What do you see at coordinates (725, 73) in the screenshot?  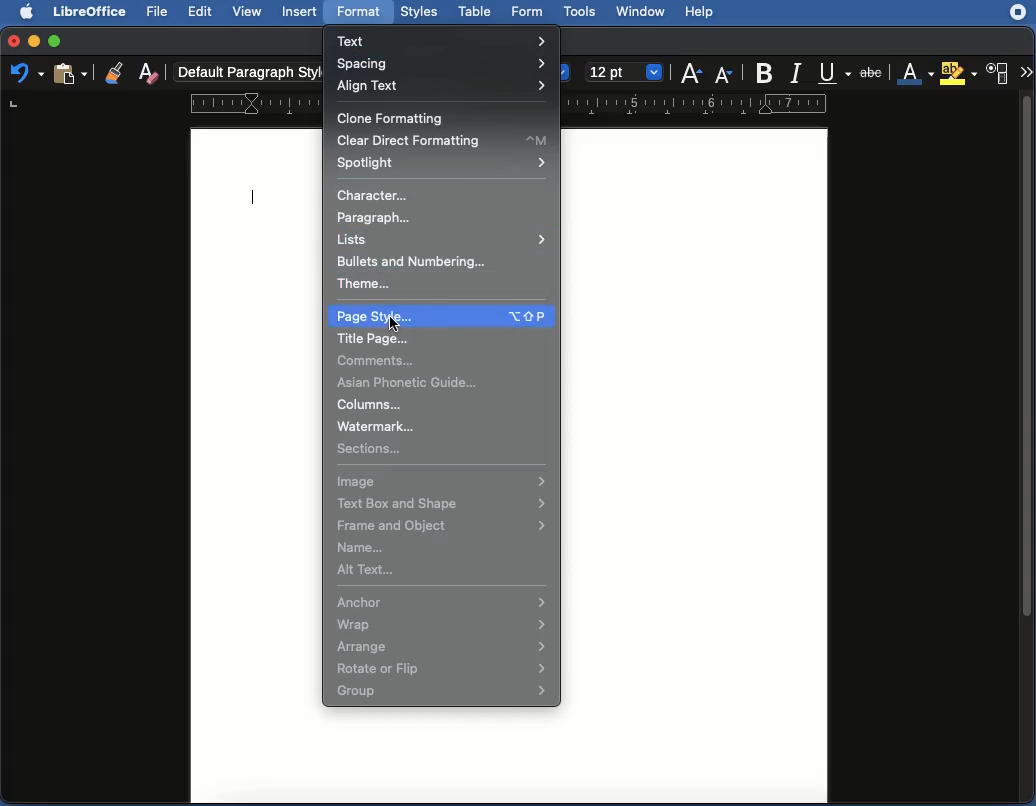 I see `Size down` at bounding box center [725, 73].